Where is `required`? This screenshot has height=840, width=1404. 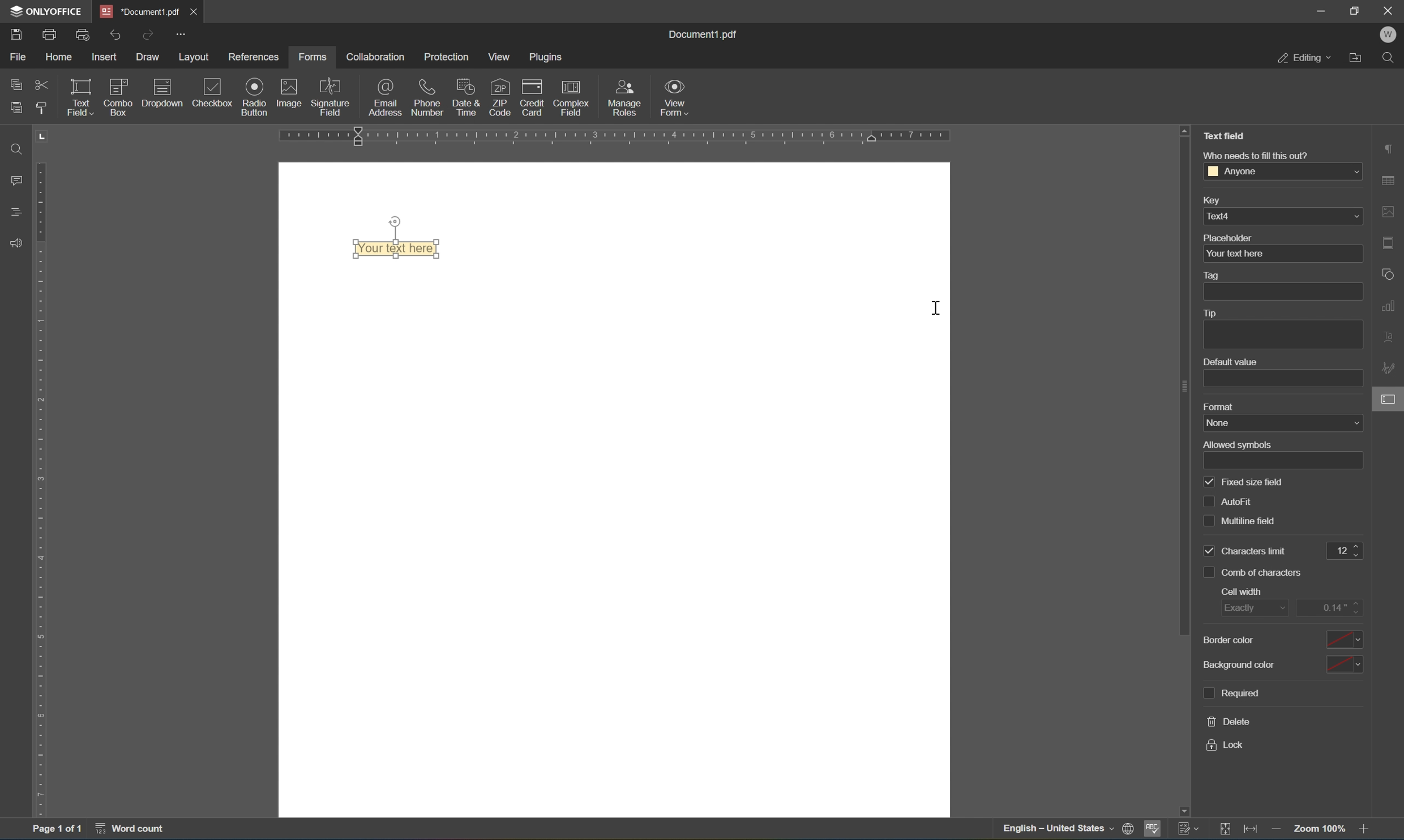 required is located at coordinates (1234, 693).